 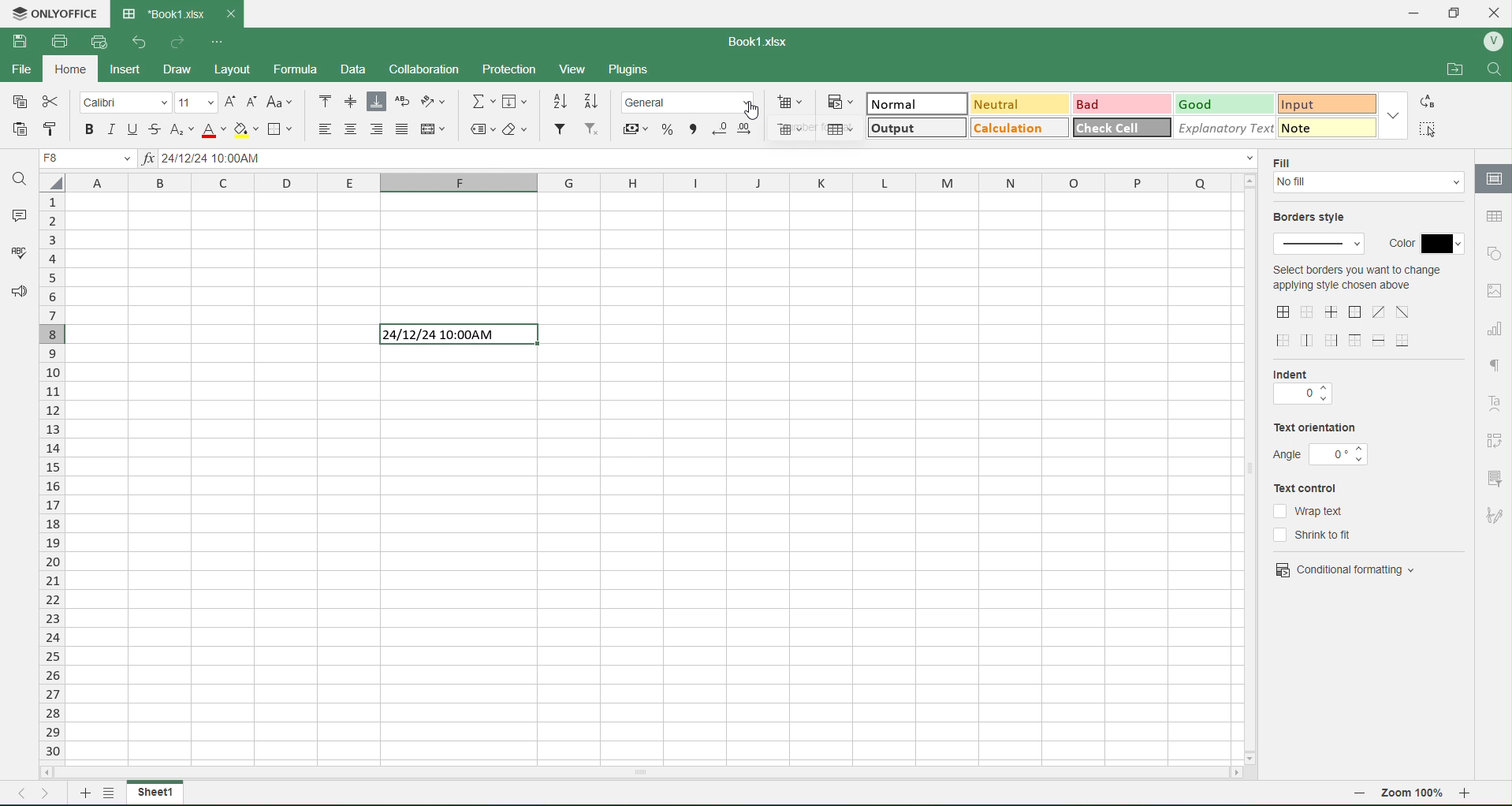 What do you see at coordinates (282, 103) in the screenshot?
I see `Change Case` at bounding box center [282, 103].